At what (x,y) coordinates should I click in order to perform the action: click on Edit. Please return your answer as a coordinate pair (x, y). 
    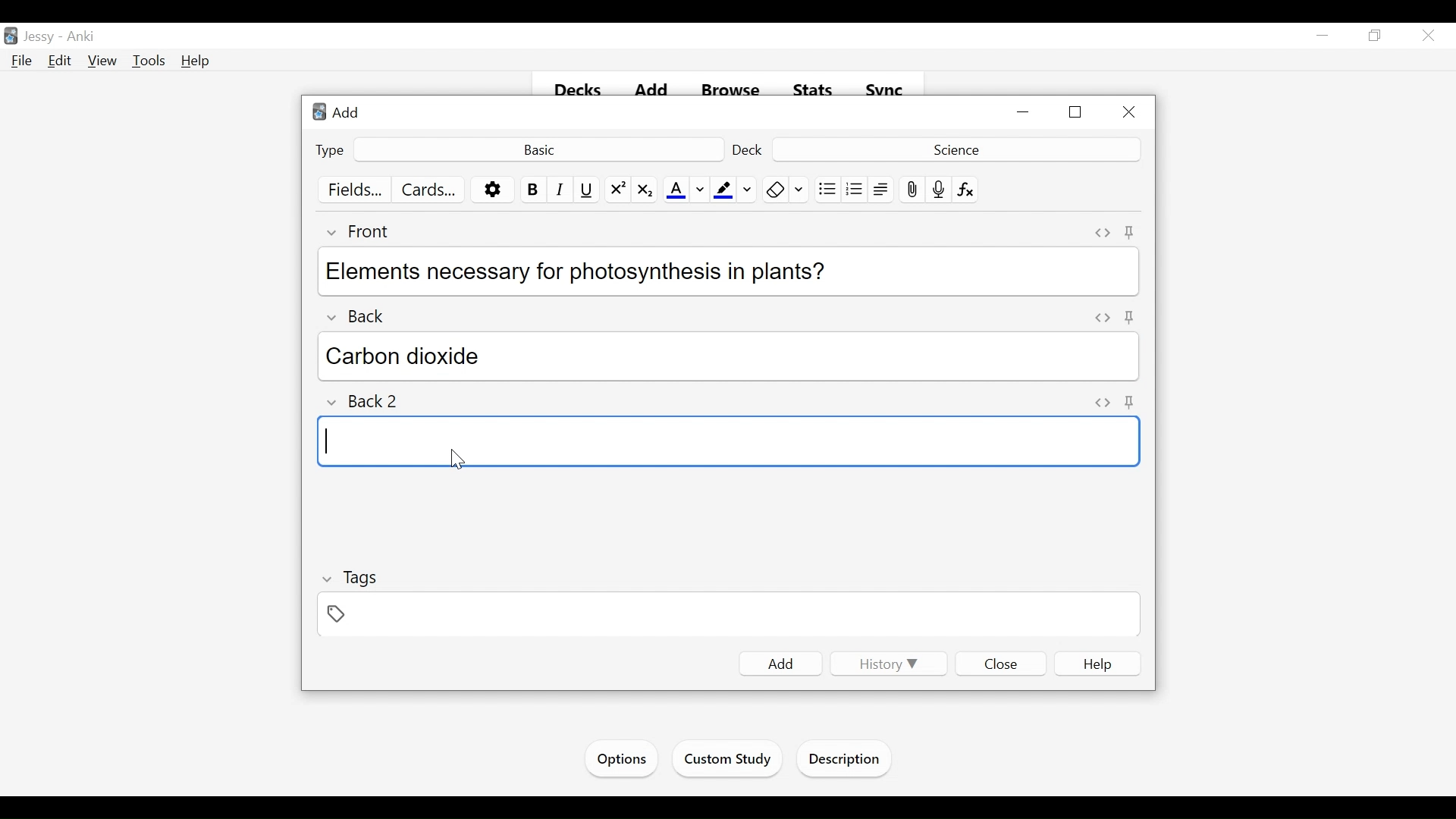
    Looking at the image, I should click on (60, 60).